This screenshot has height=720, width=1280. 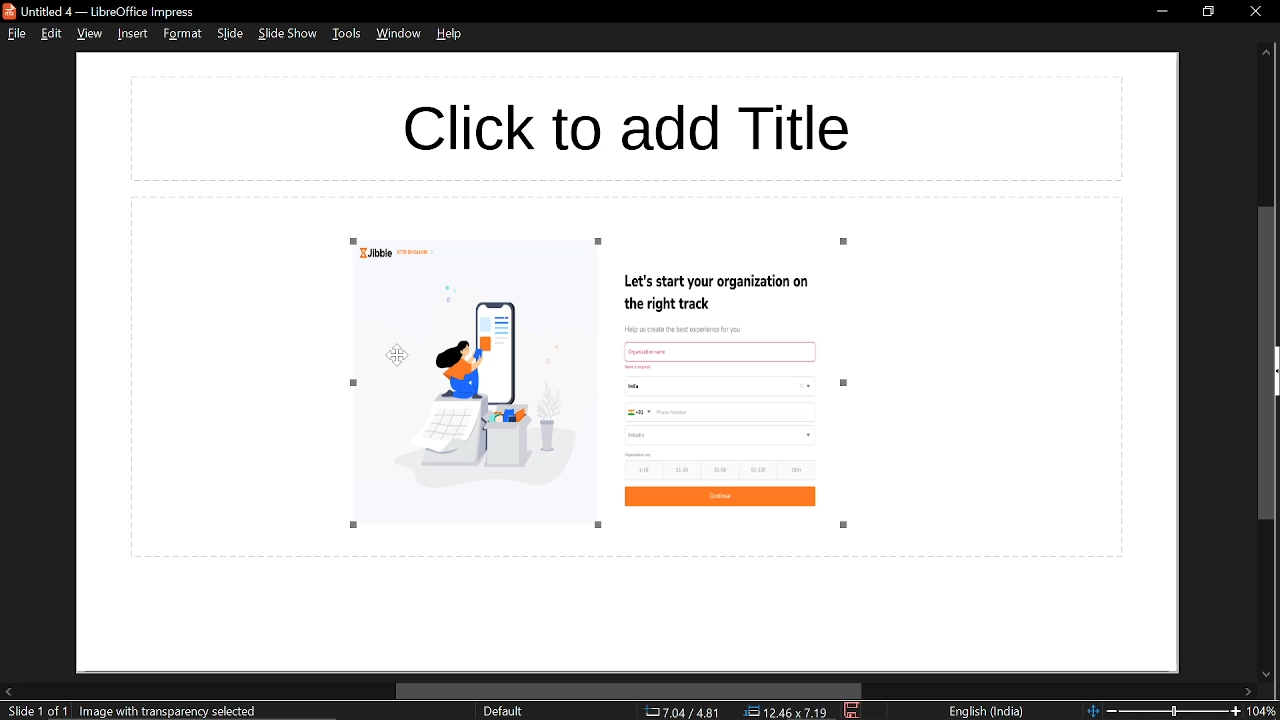 What do you see at coordinates (502, 712) in the screenshot?
I see `sheet style` at bounding box center [502, 712].